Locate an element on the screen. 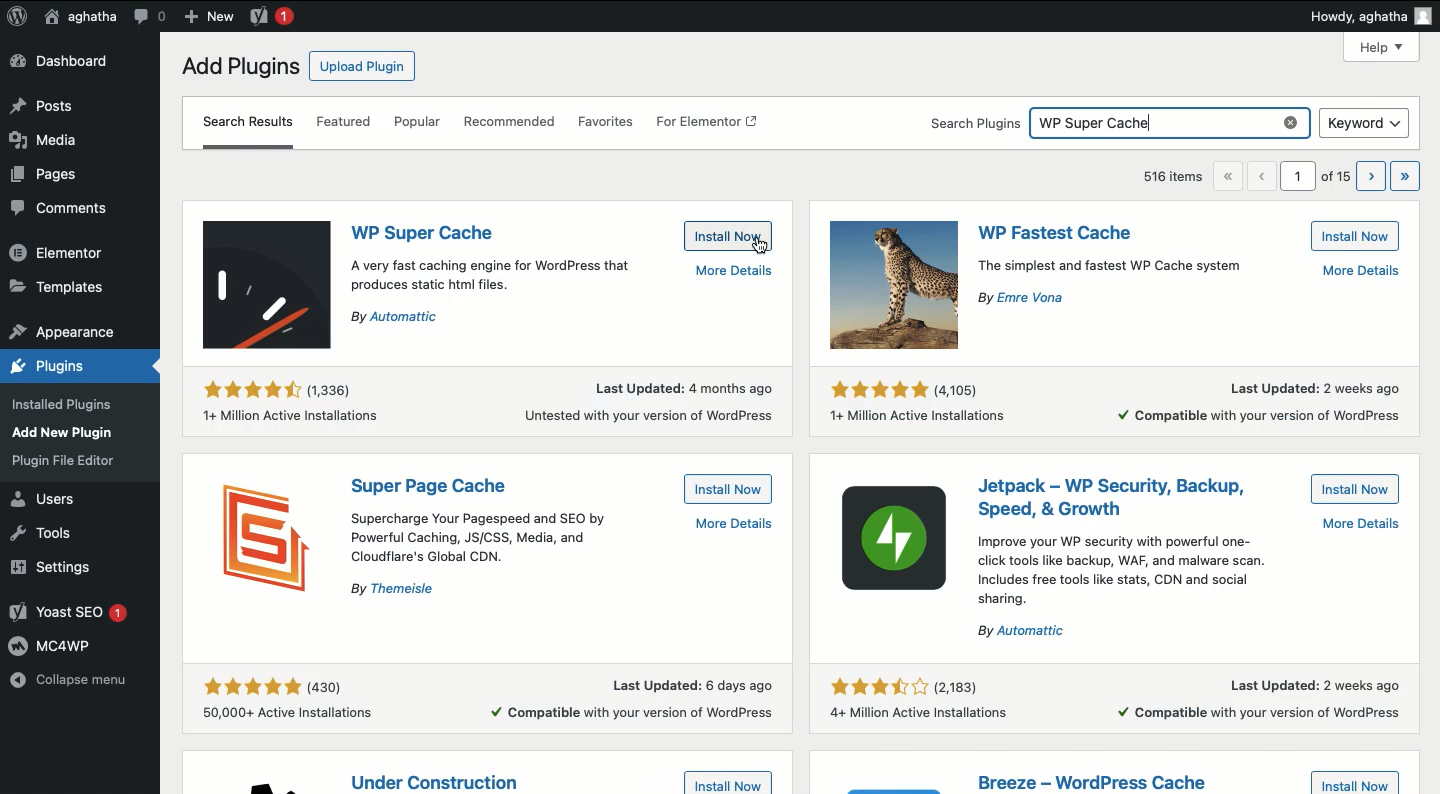  last updated : 2 weeks ago 1+miilion achieve installations compatible with your version of wordpress is located at coordinates (1112, 404).